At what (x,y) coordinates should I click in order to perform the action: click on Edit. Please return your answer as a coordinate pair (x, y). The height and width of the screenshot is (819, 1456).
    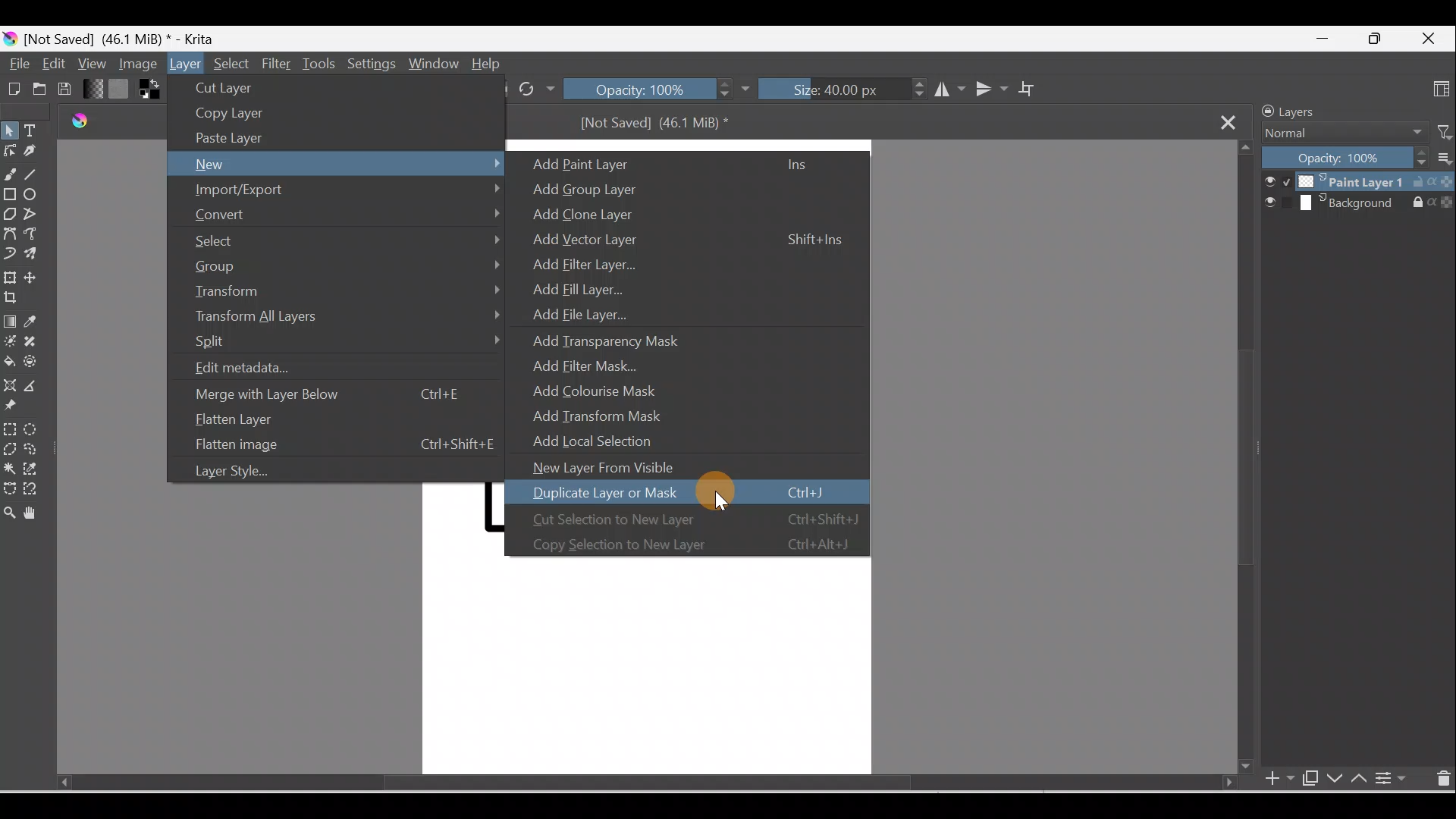
    Looking at the image, I should click on (51, 62).